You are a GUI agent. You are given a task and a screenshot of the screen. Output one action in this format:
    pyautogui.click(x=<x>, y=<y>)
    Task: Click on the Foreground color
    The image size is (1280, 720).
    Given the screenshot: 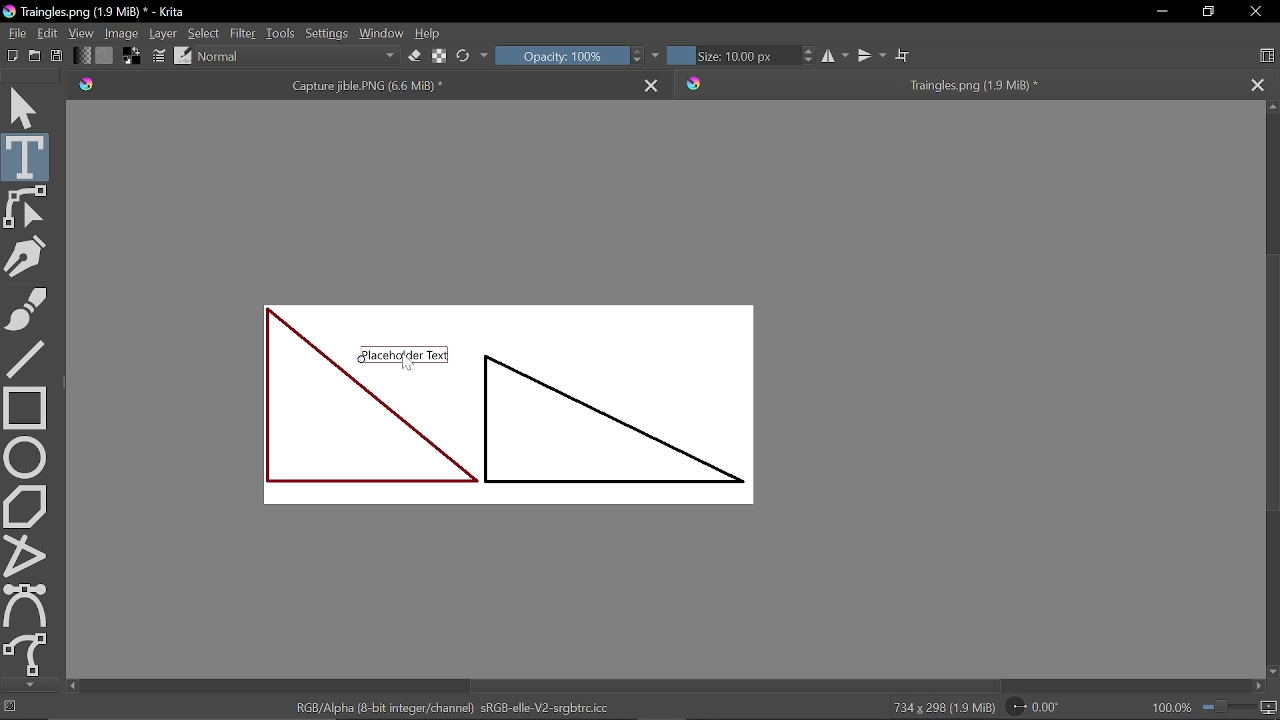 What is the action you would take?
    pyautogui.click(x=132, y=56)
    